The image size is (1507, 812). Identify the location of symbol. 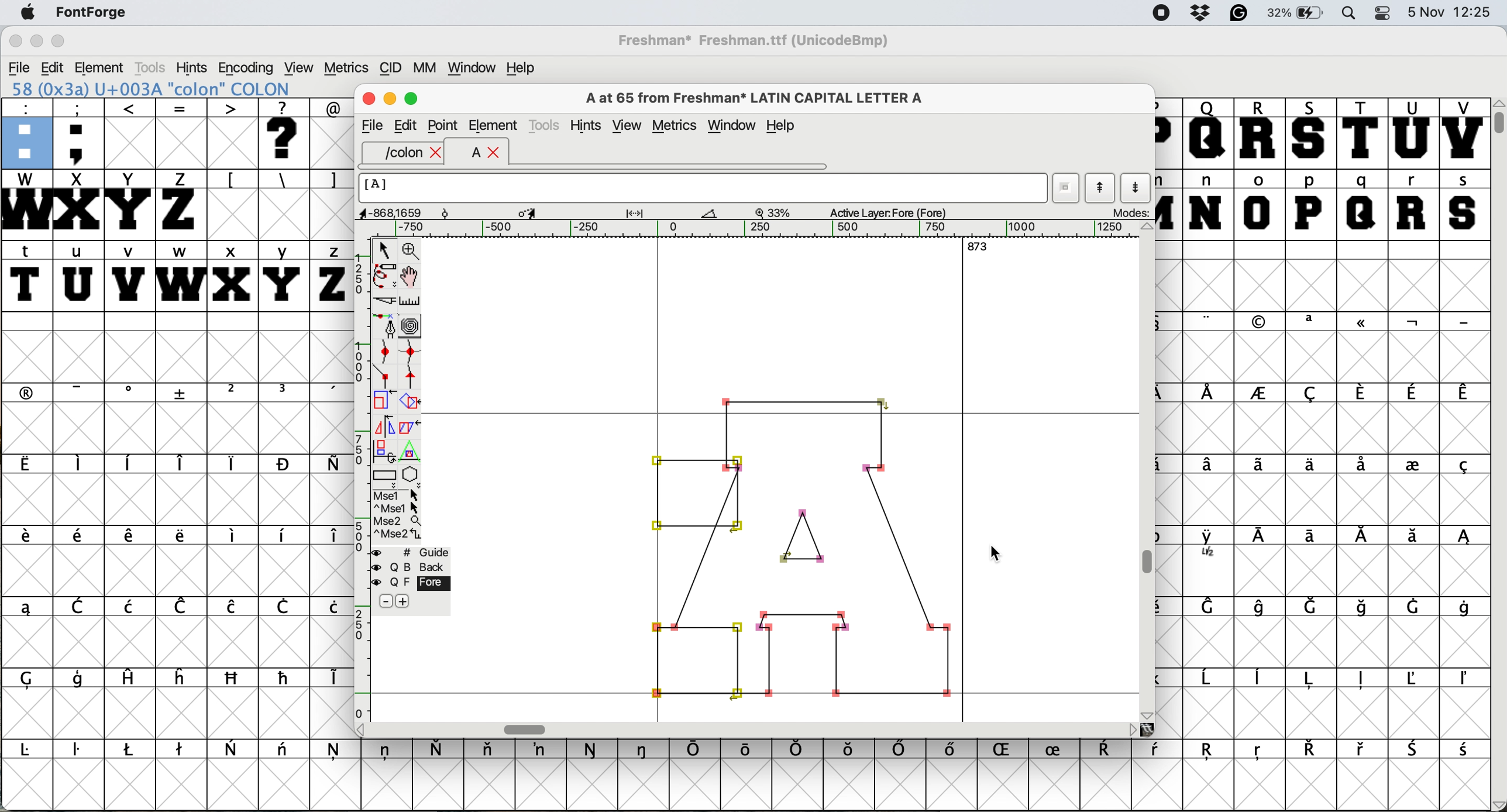
(1264, 538).